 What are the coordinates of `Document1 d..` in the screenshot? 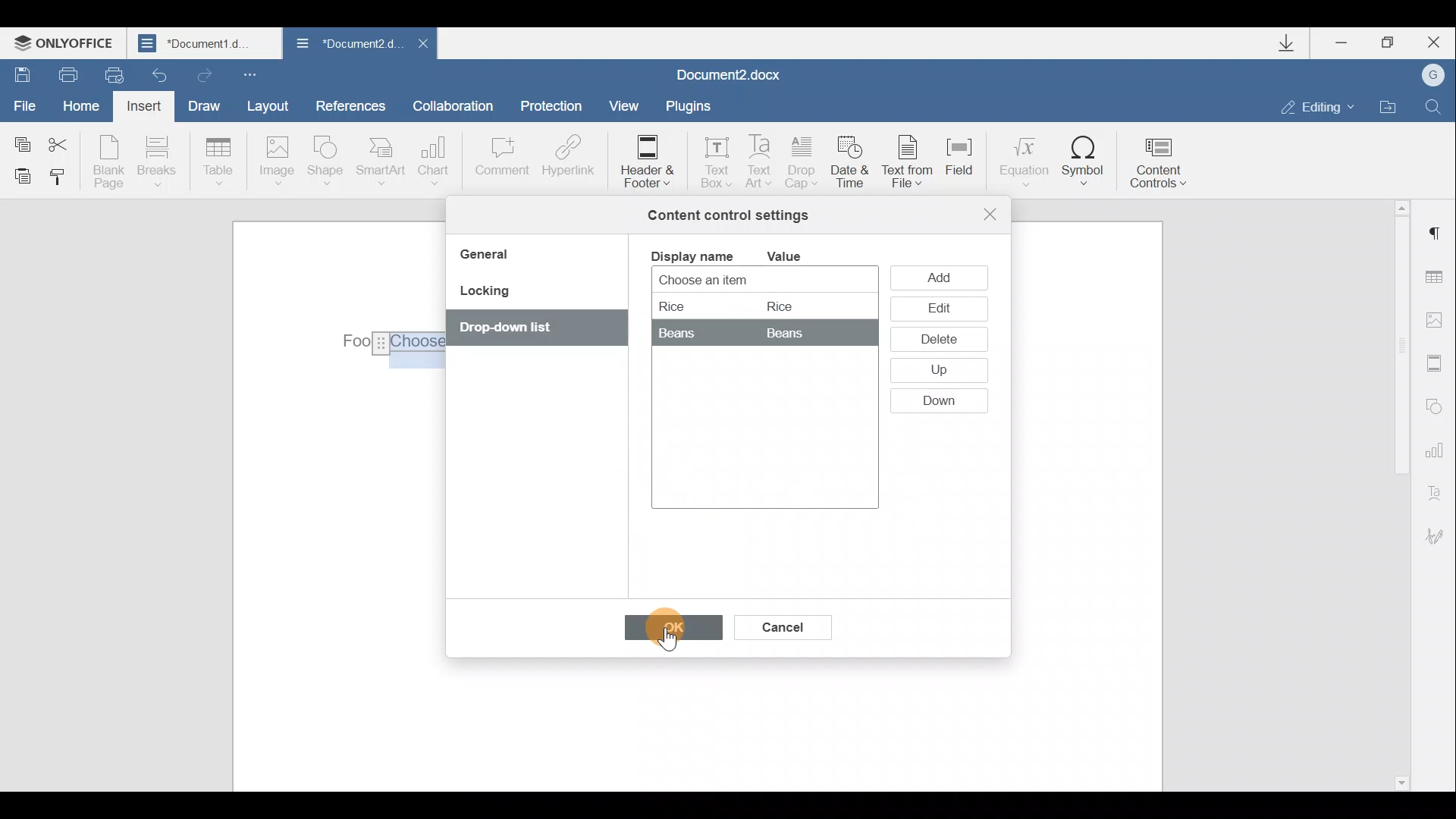 It's located at (206, 42).